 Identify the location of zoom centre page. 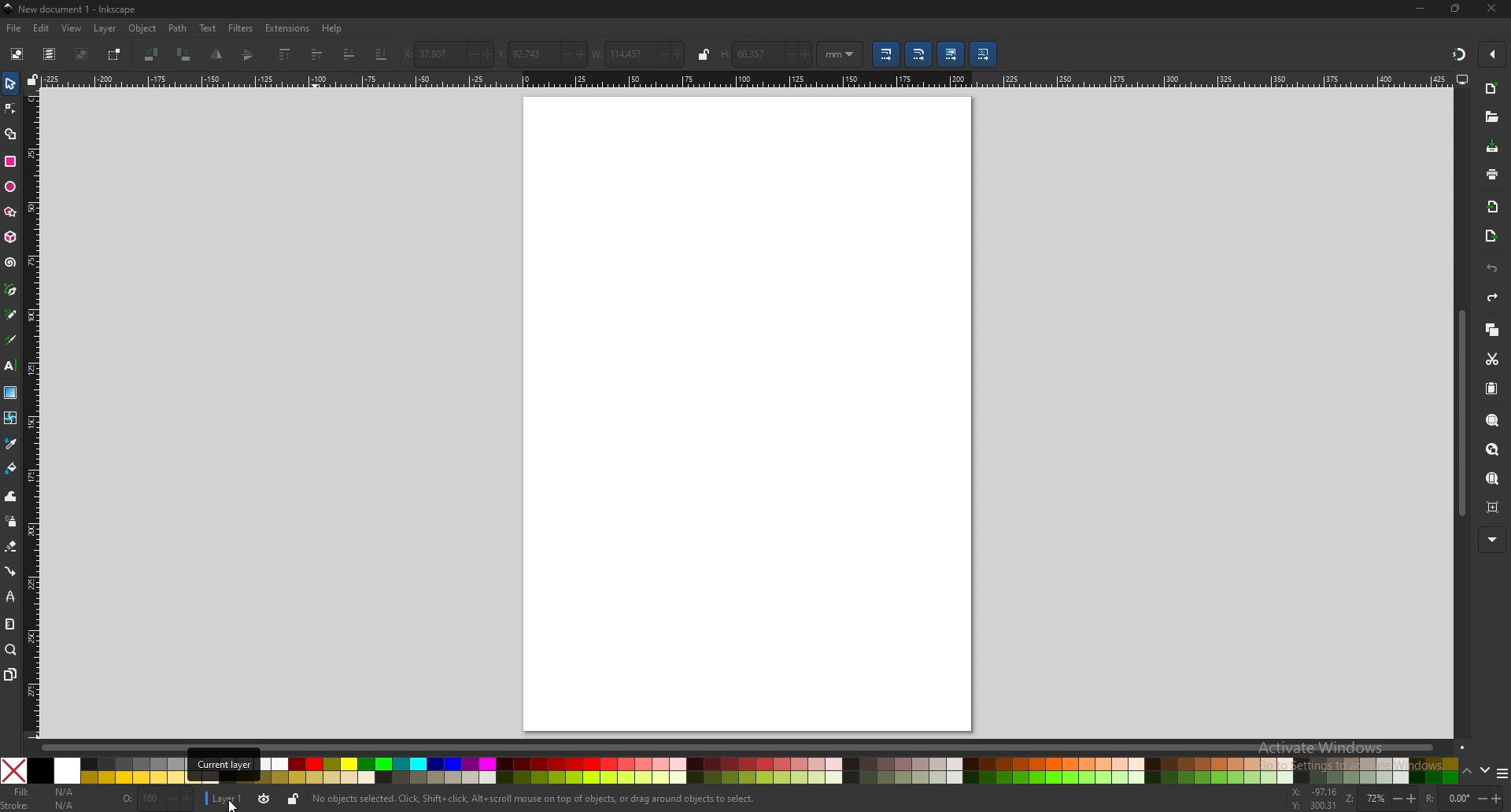
(1494, 507).